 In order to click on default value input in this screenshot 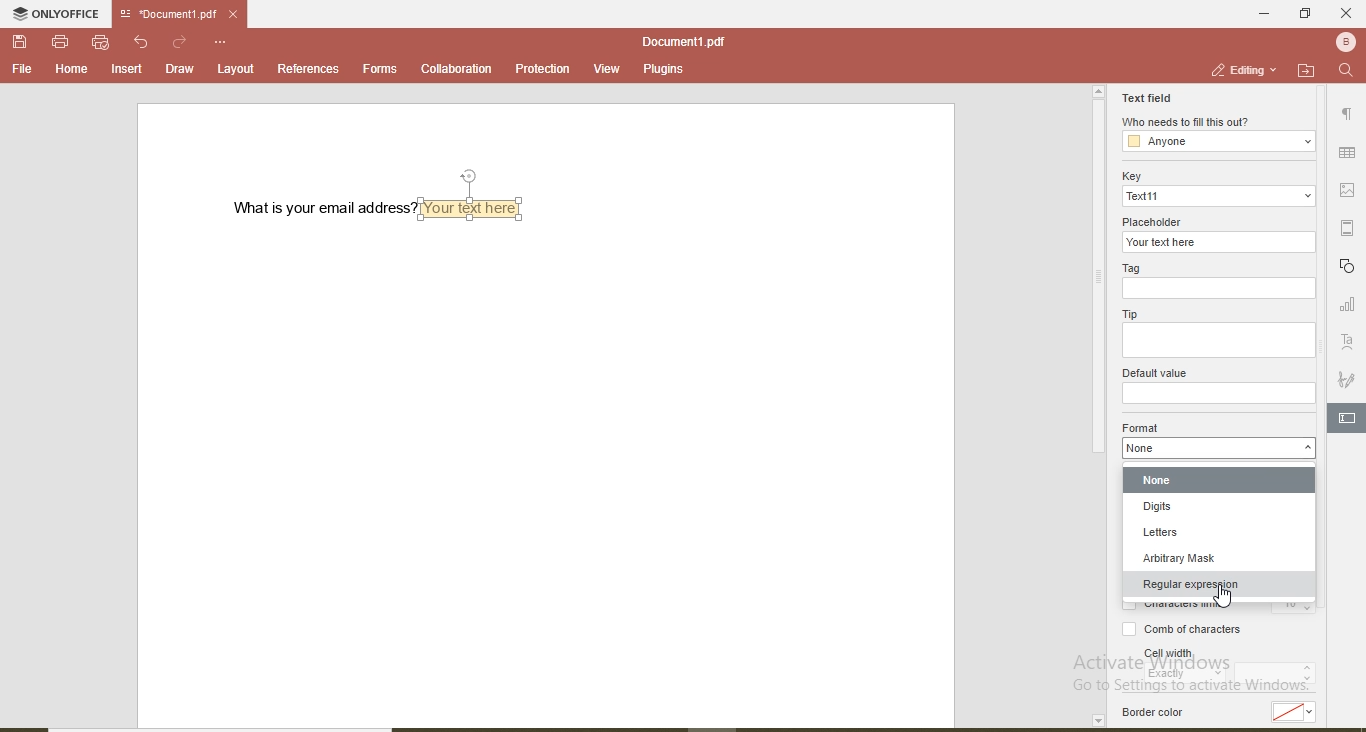, I will do `click(1220, 394)`.